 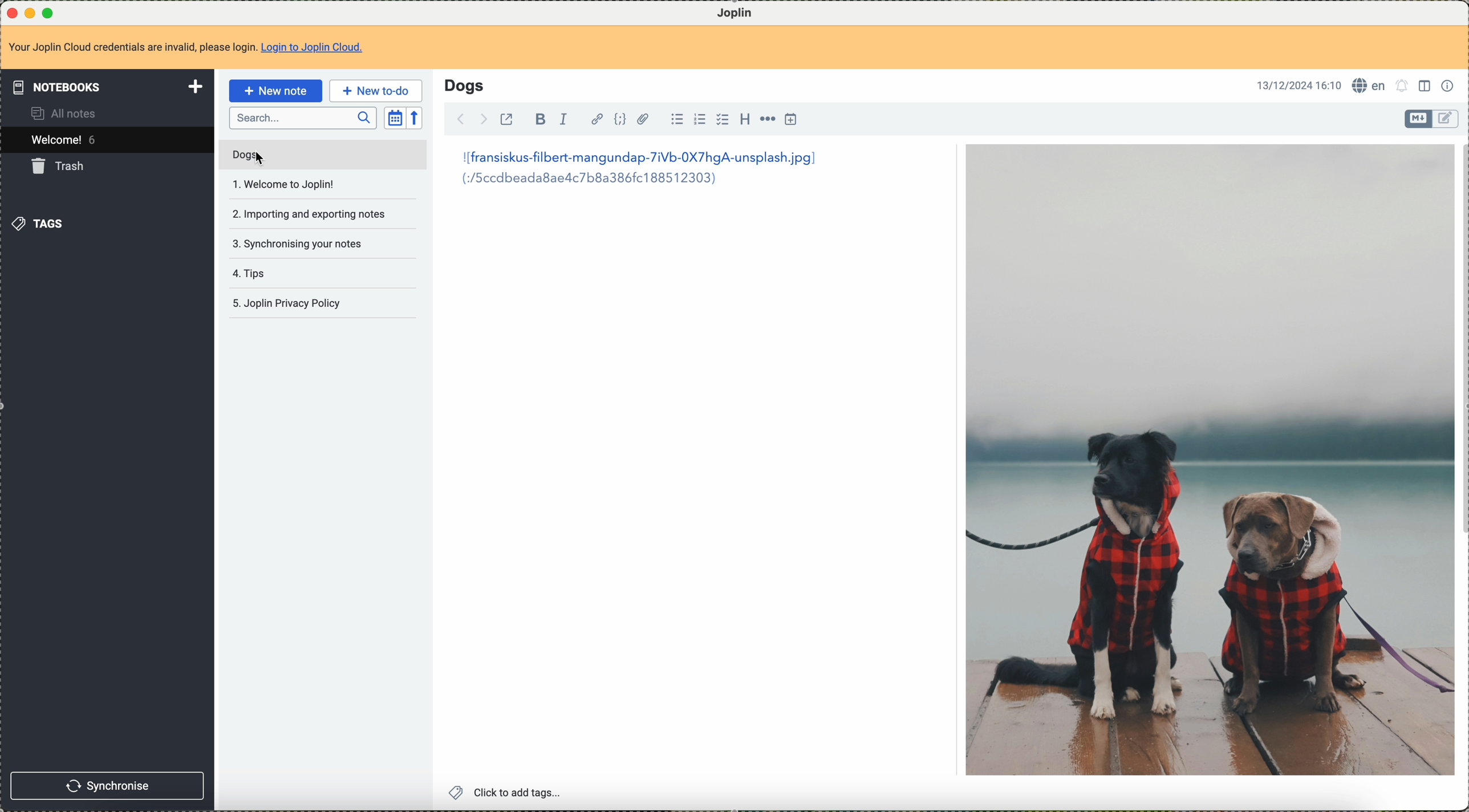 What do you see at coordinates (416, 118) in the screenshot?
I see `reverse sort order` at bounding box center [416, 118].